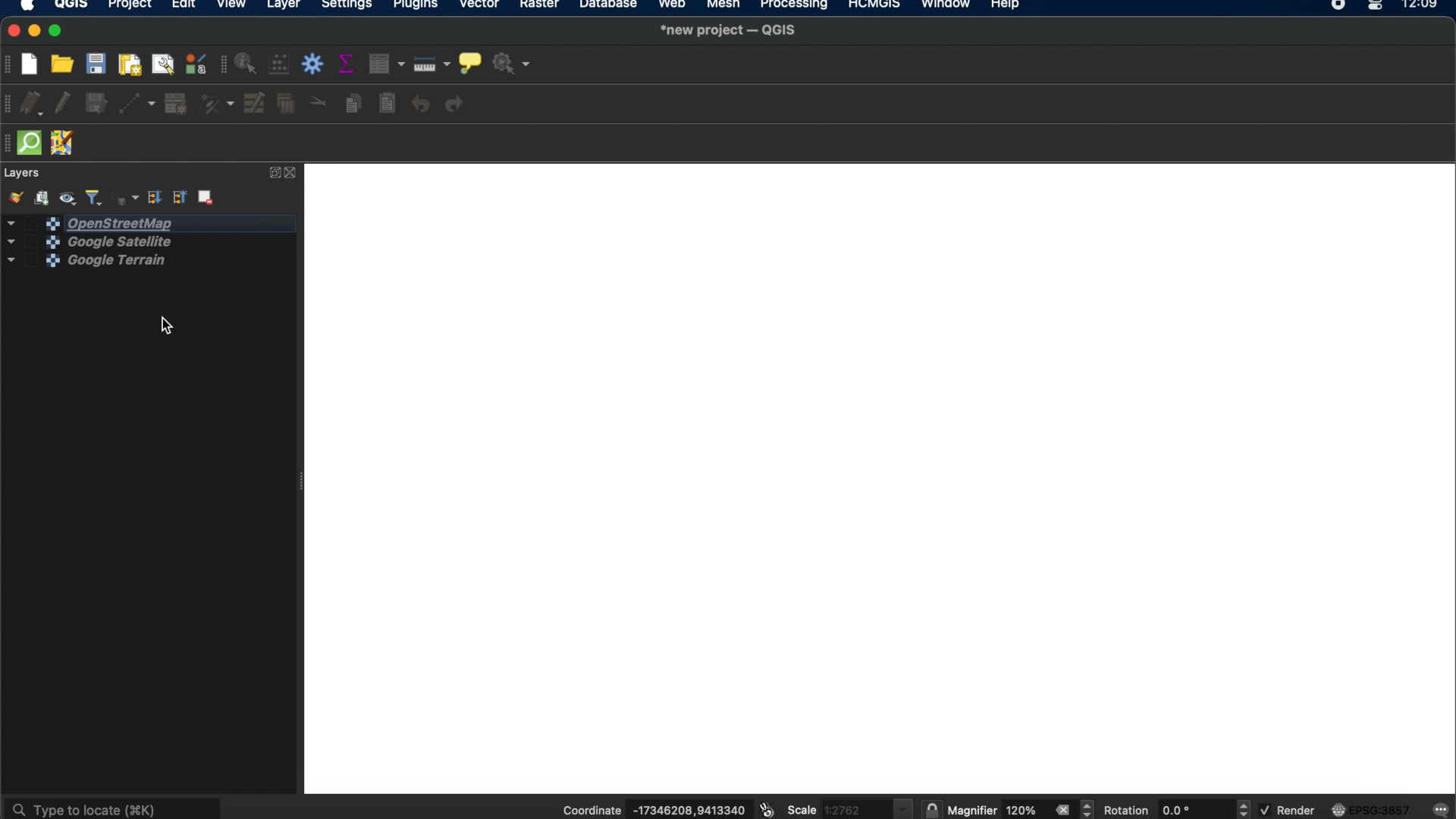 This screenshot has width=1456, height=819. What do you see at coordinates (221, 65) in the screenshot?
I see `attributes toolbar` at bounding box center [221, 65].